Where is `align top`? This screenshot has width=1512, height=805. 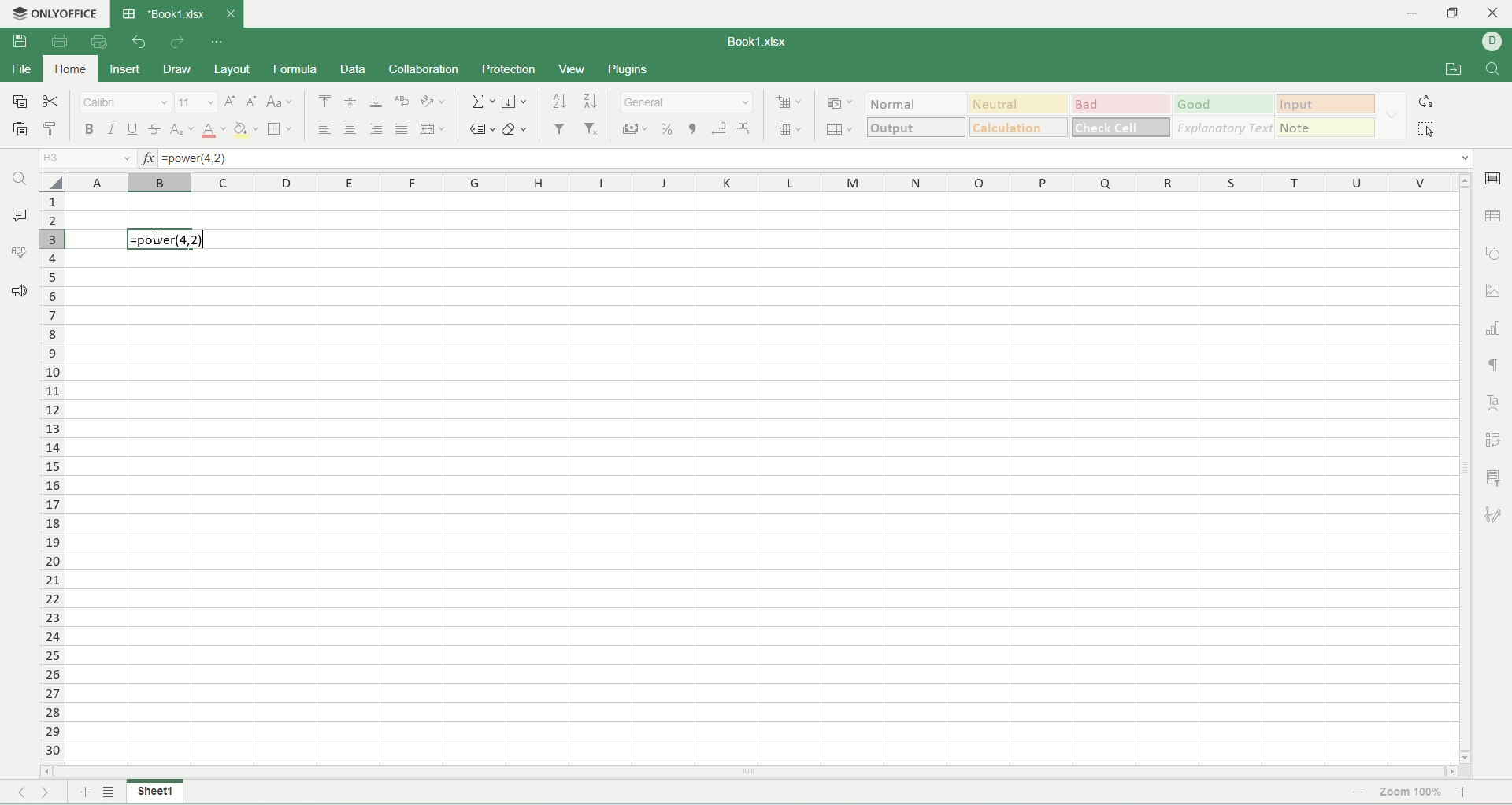 align top is located at coordinates (322, 101).